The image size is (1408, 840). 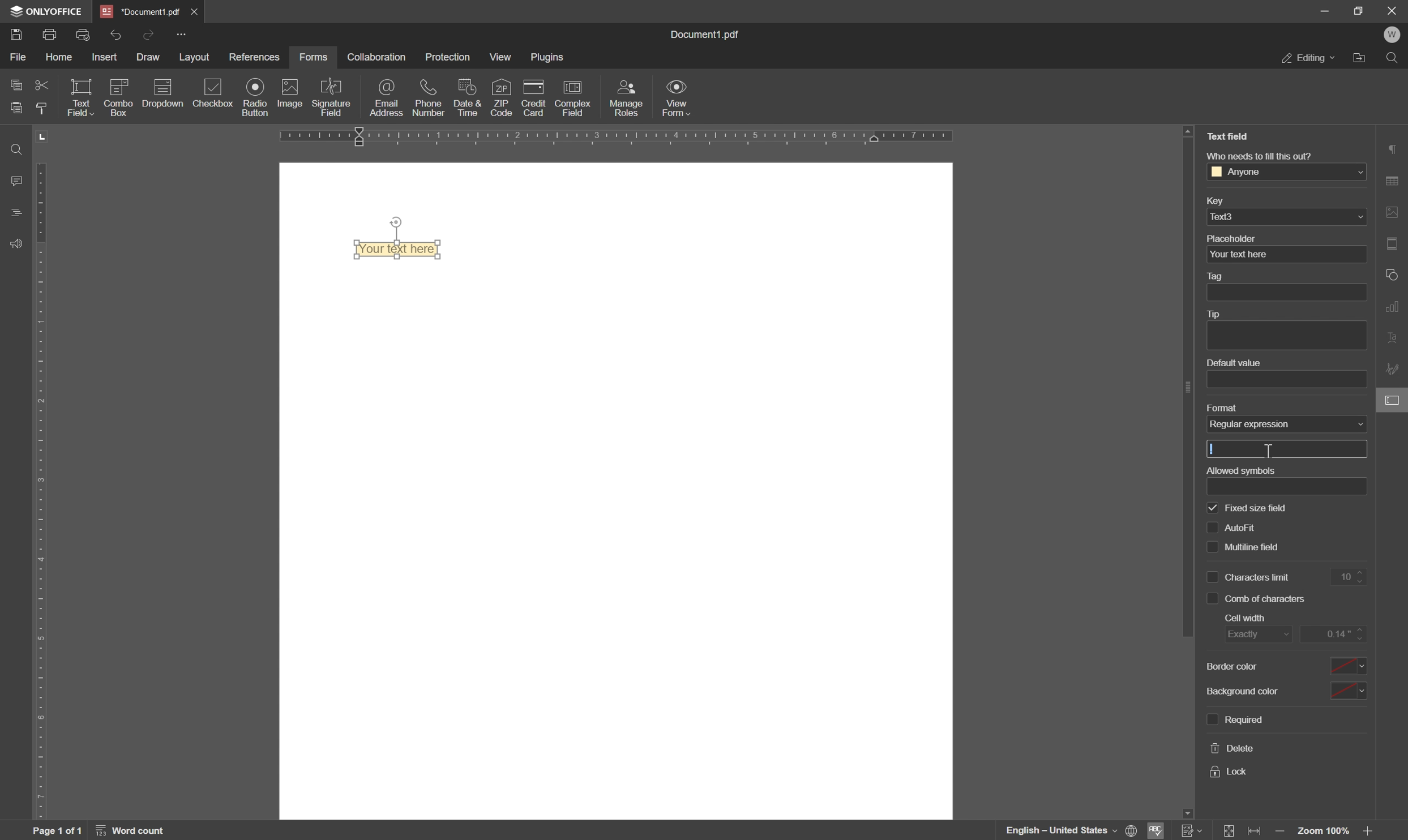 I want to click on background color, so click(x=1241, y=667).